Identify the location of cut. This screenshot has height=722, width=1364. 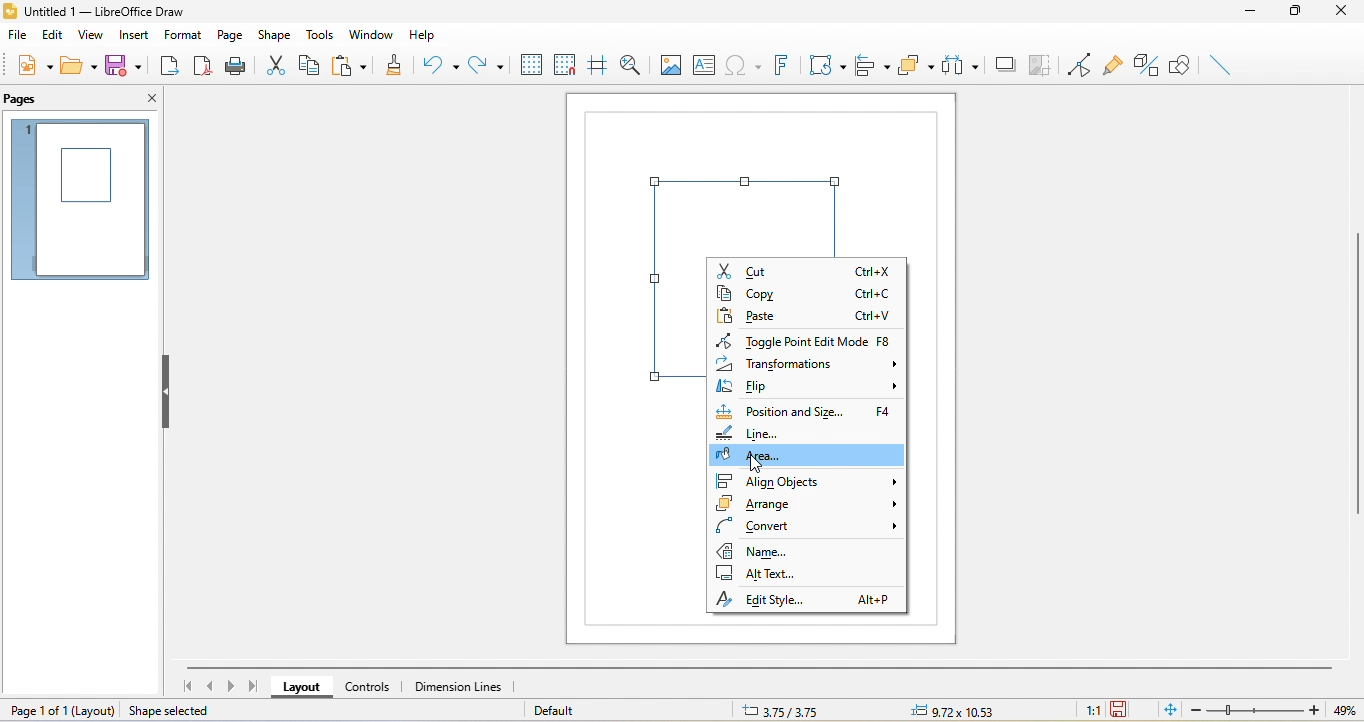
(277, 63).